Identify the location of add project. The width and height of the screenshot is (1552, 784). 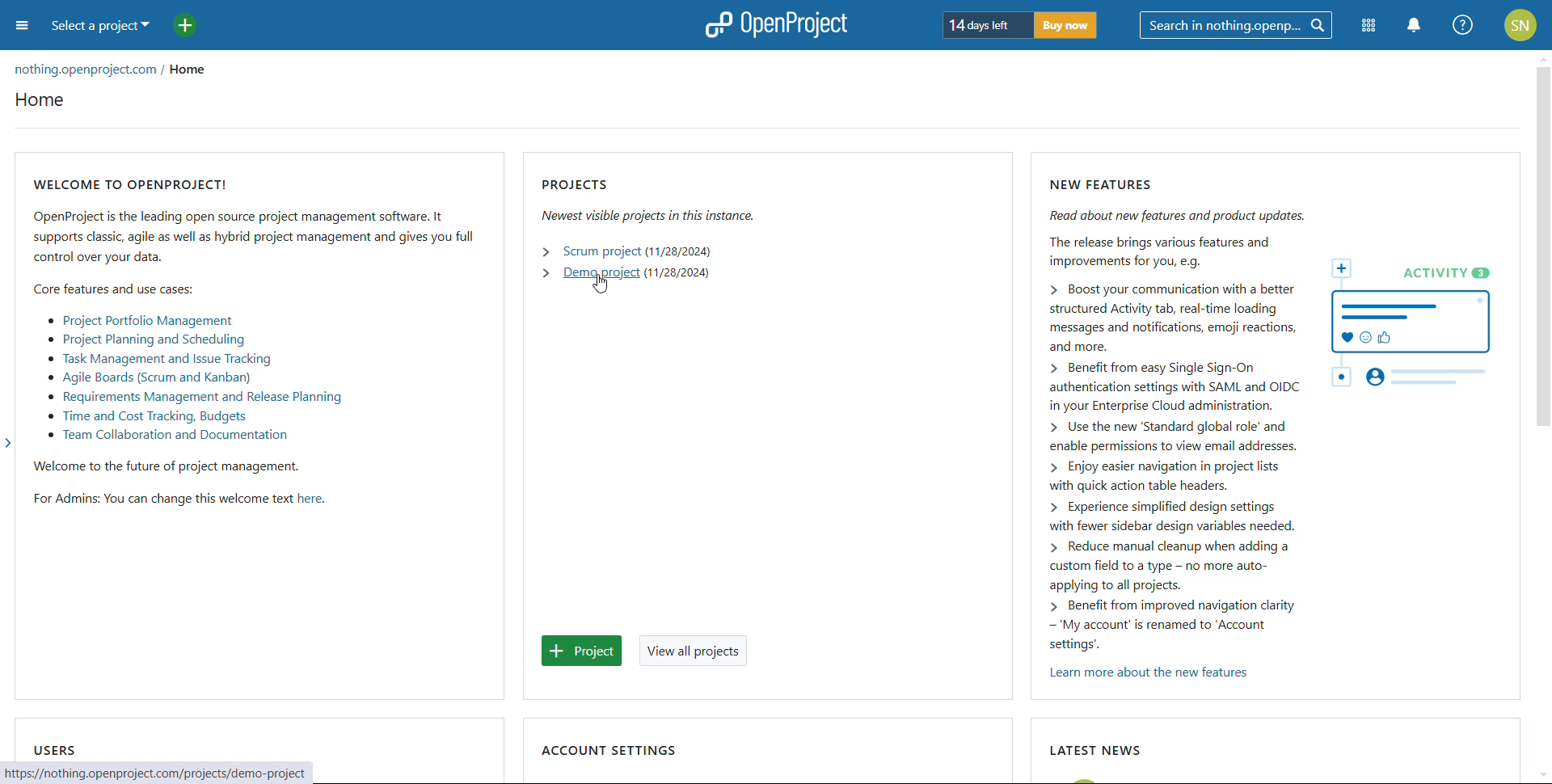
(185, 26).